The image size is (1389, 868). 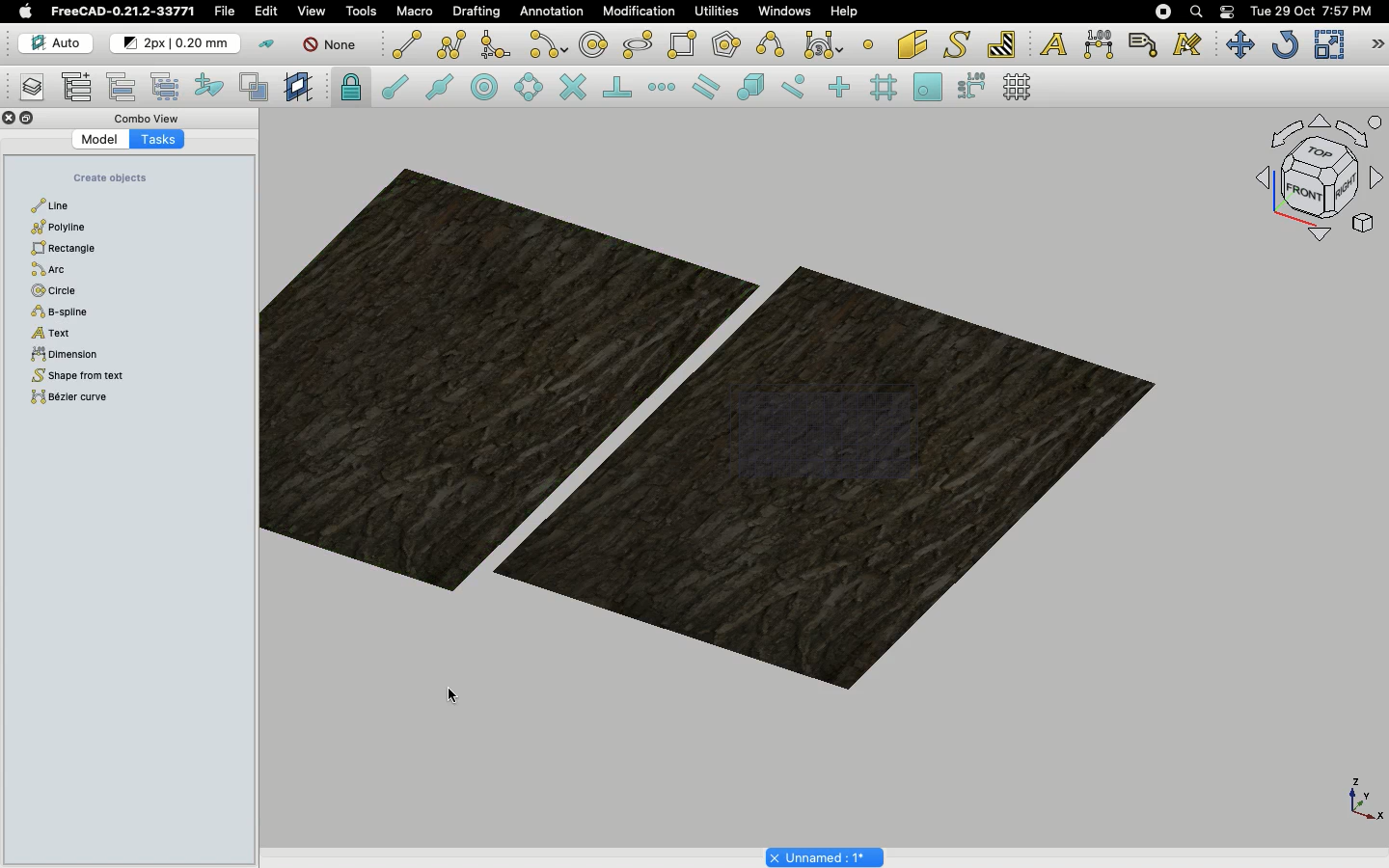 I want to click on Toggle grid, so click(x=1019, y=87).